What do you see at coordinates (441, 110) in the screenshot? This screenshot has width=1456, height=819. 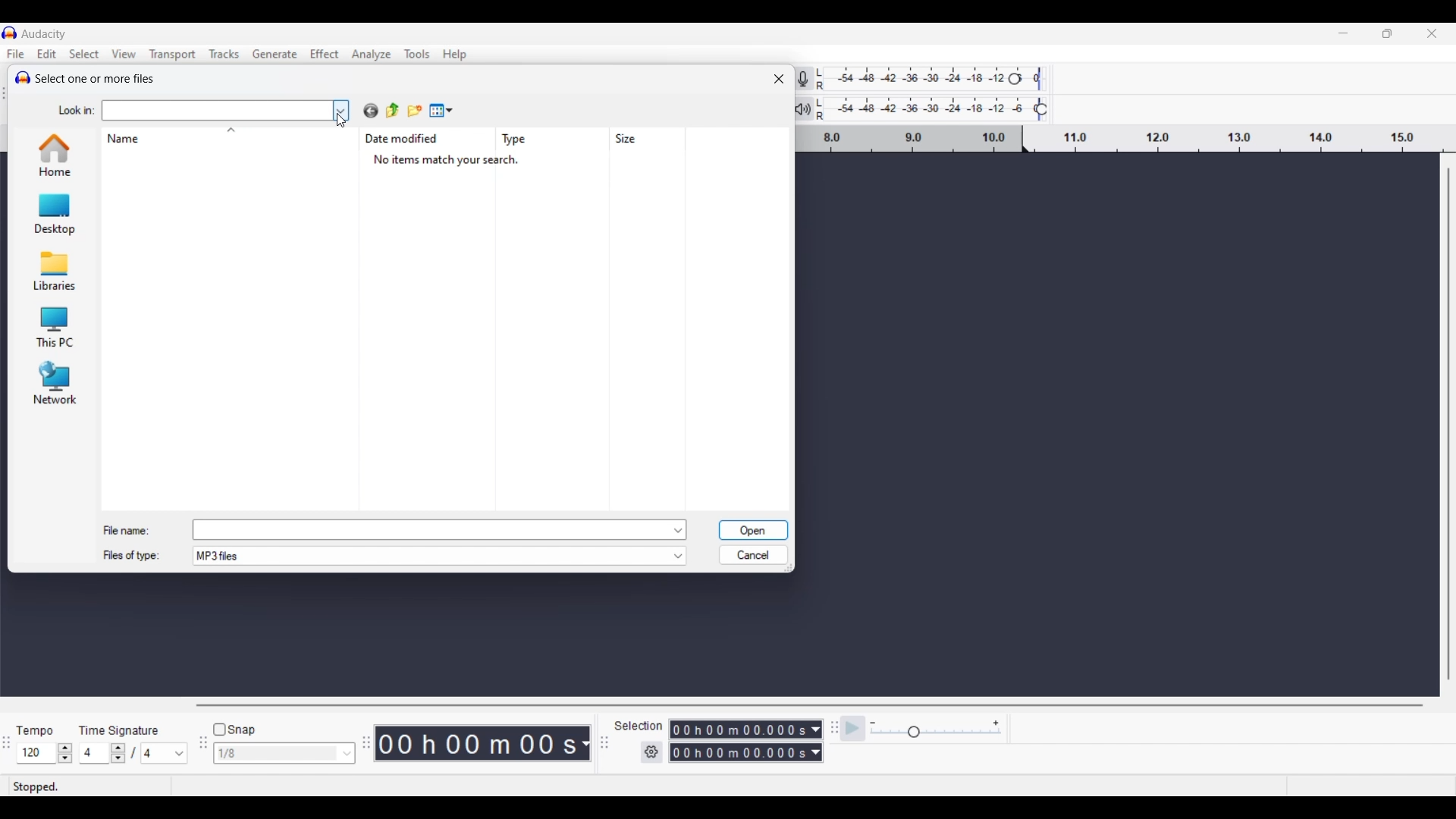 I see `View menu` at bounding box center [441, 110].